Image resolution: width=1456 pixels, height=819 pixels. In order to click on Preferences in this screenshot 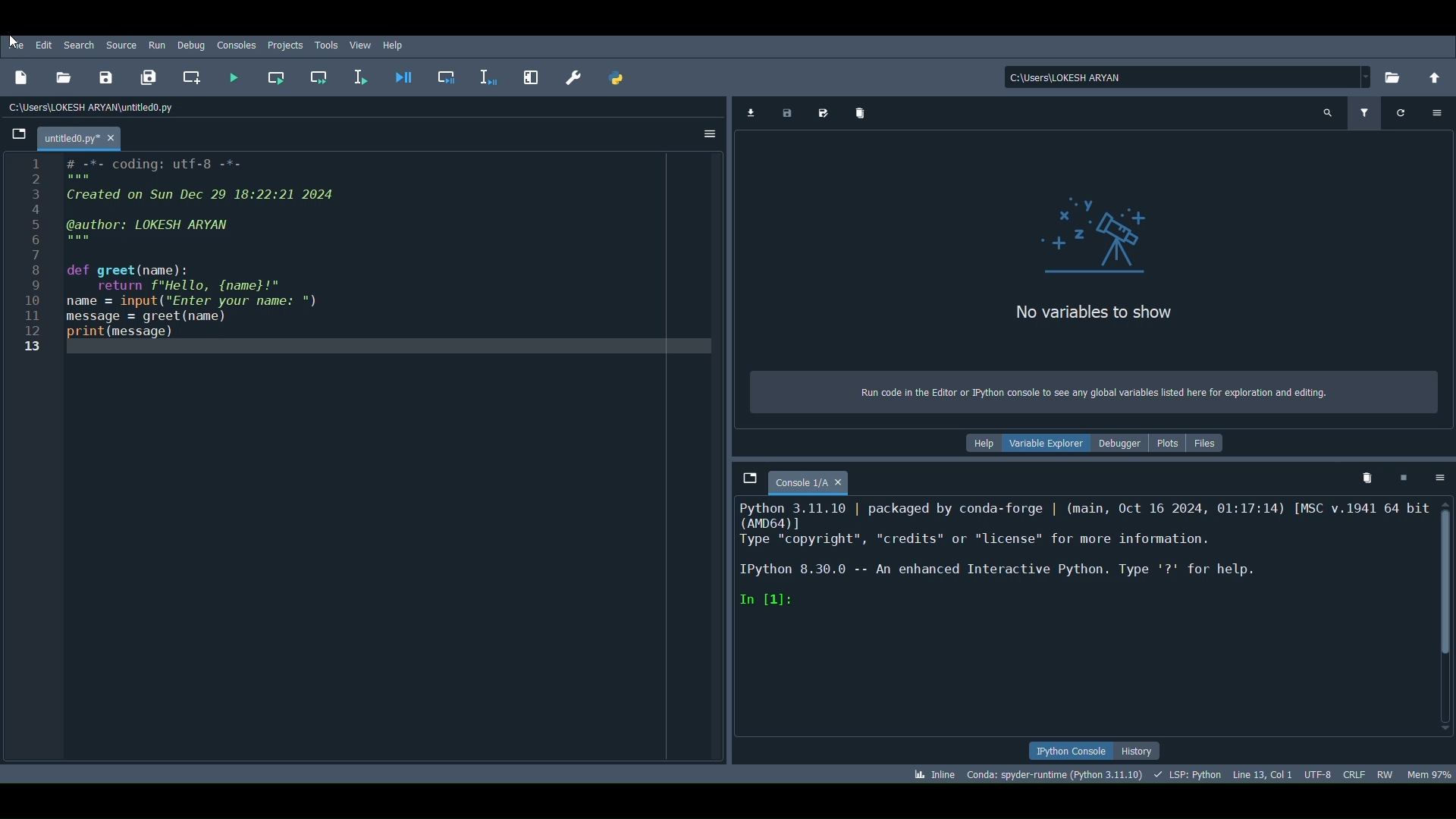, I will do `click(579, 74)`.